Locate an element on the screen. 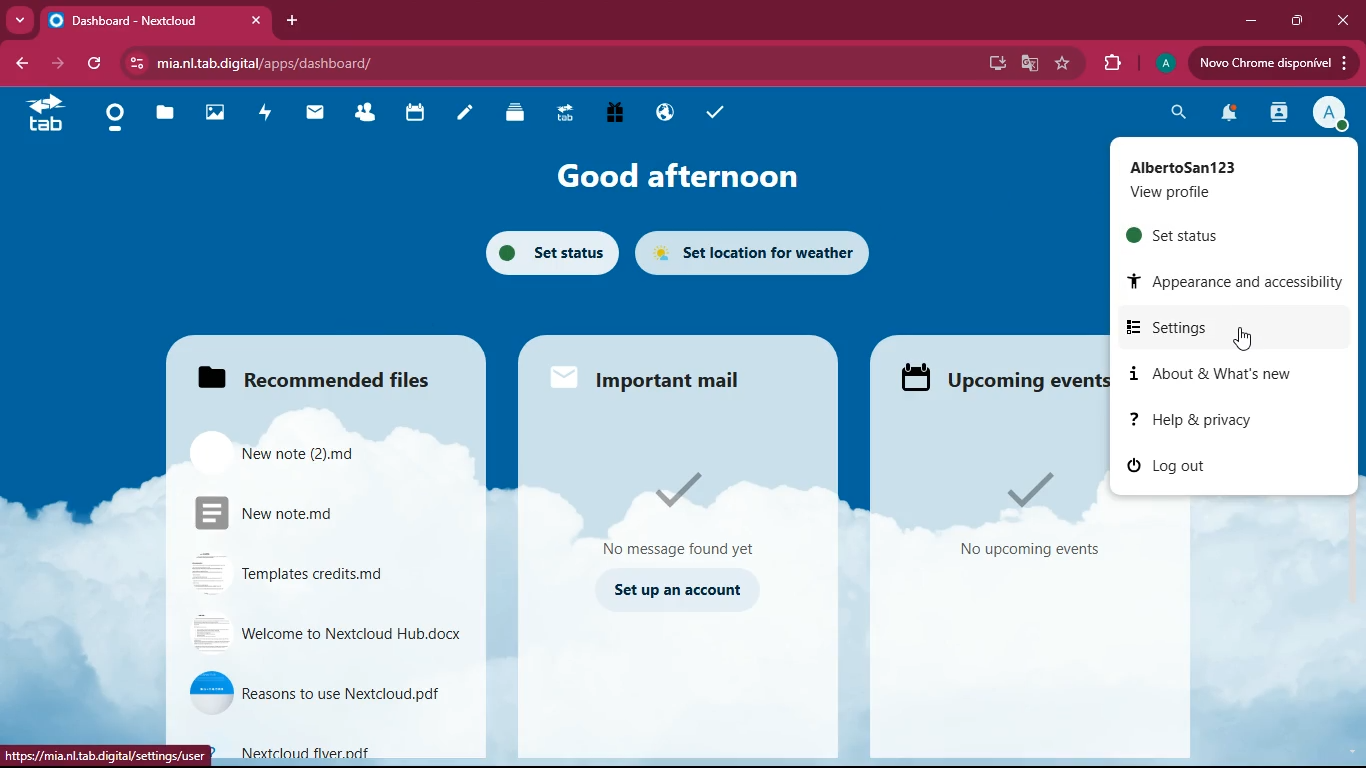 The image size is (1366, 768). update is located at coordinates (1274, 64).